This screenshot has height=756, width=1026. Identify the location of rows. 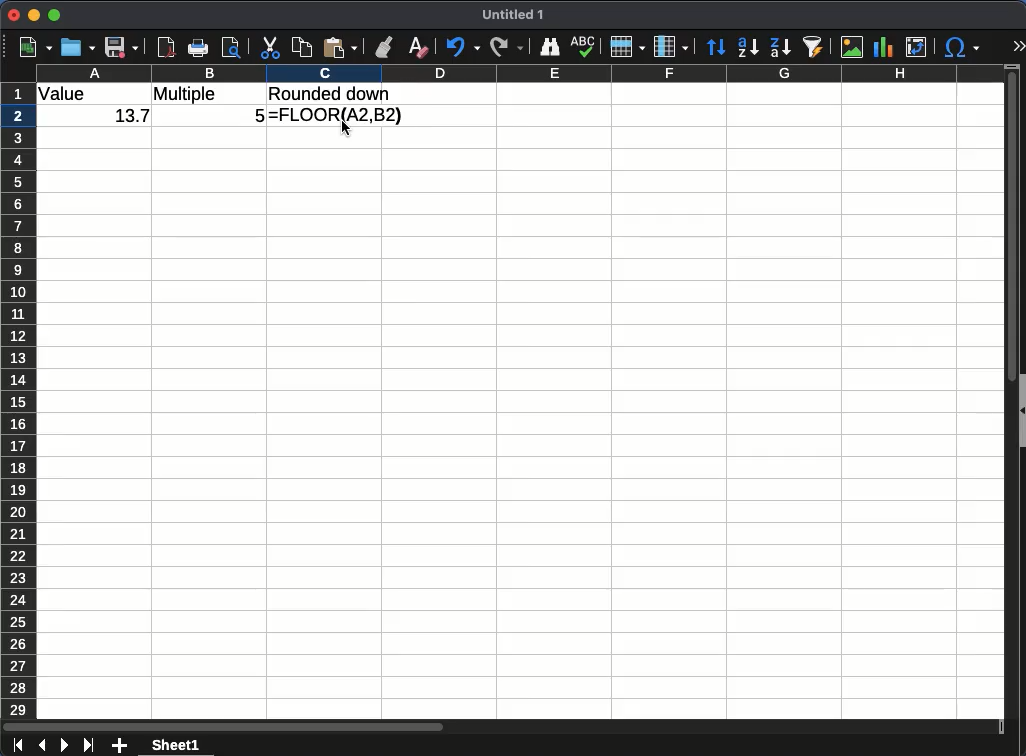
(628, 47).